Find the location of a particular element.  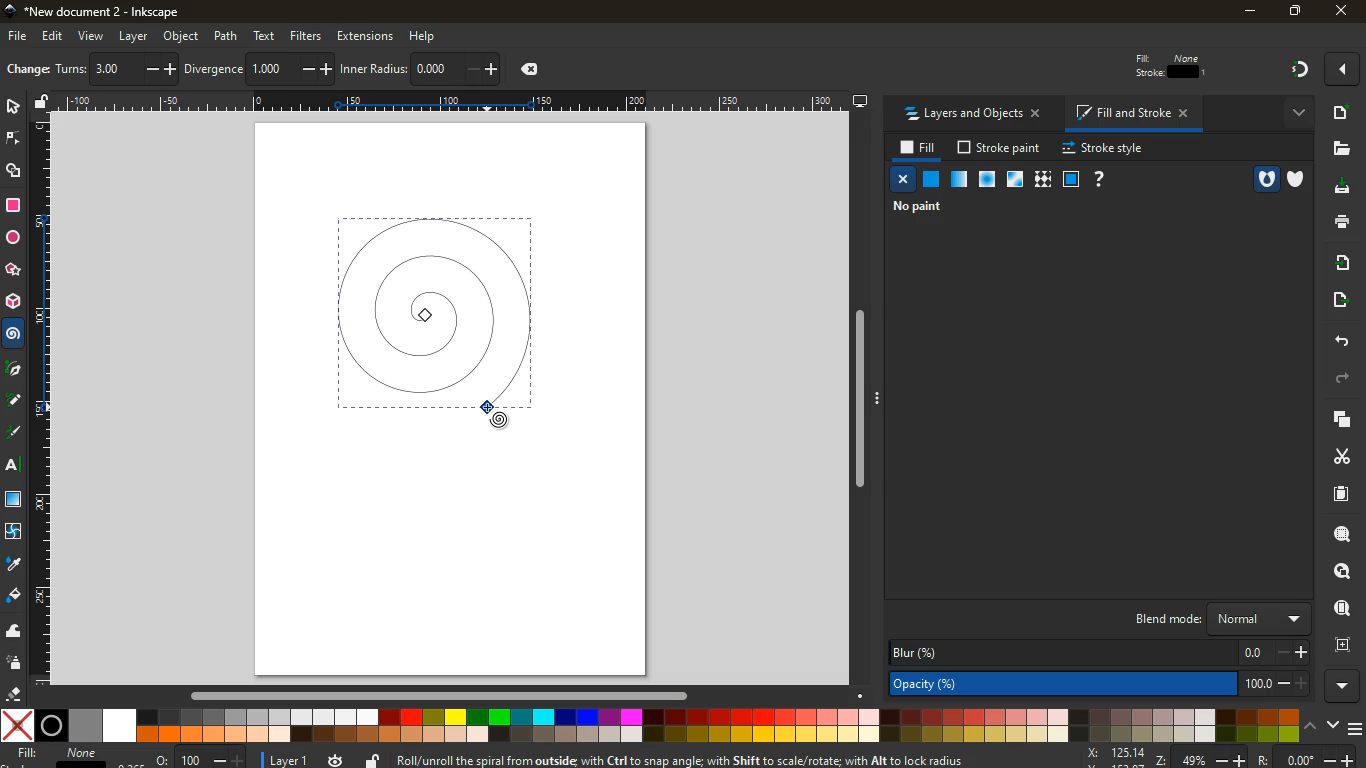

stroke paint is located at coordinates (1000, 148).